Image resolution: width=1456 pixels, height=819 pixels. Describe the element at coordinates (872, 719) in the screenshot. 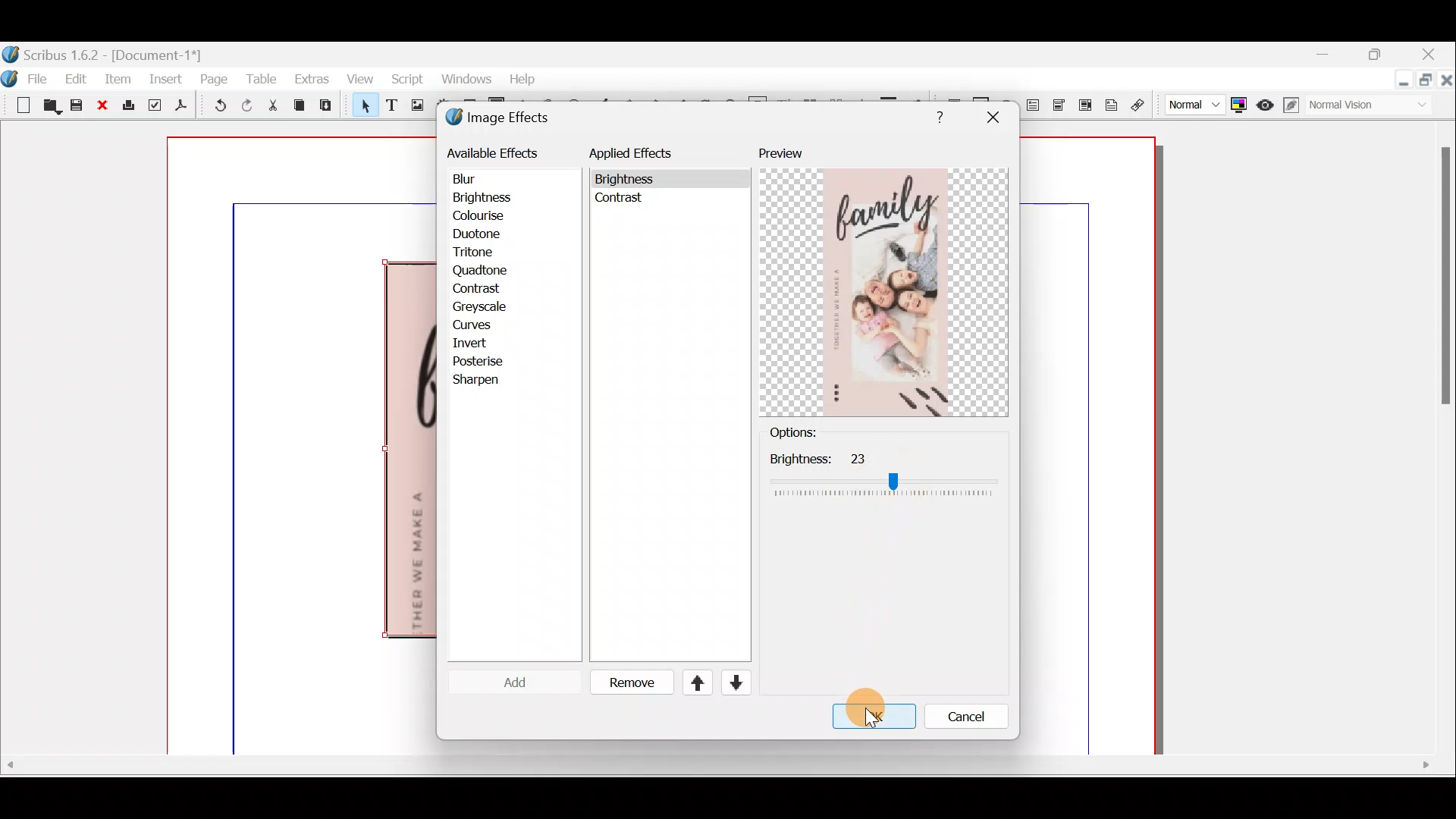

I see `` at that location.